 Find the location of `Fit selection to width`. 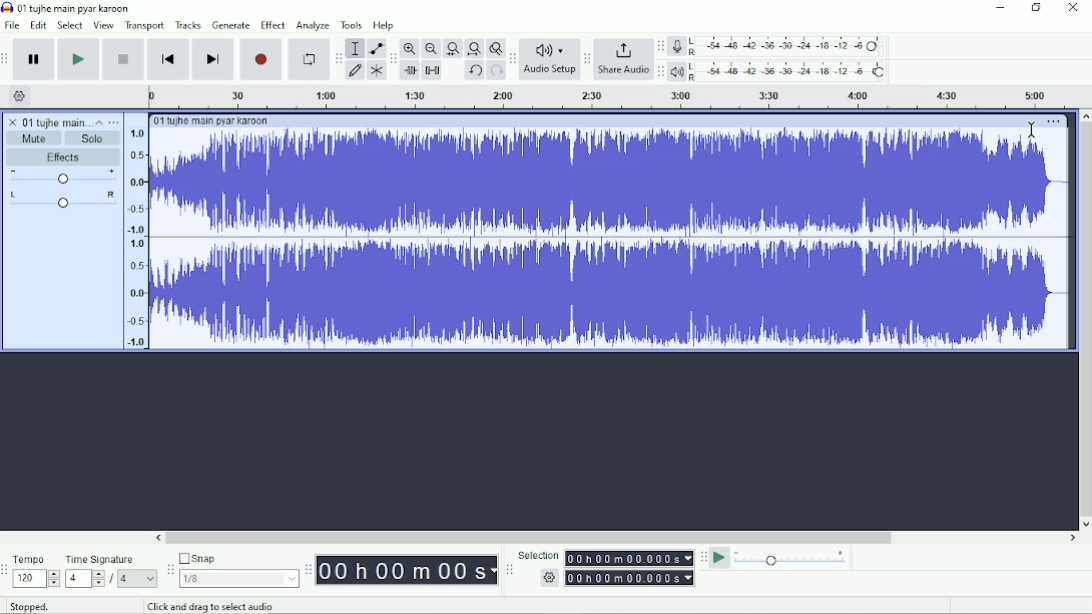

Fit selection to width is located at coordinates (452, 48).